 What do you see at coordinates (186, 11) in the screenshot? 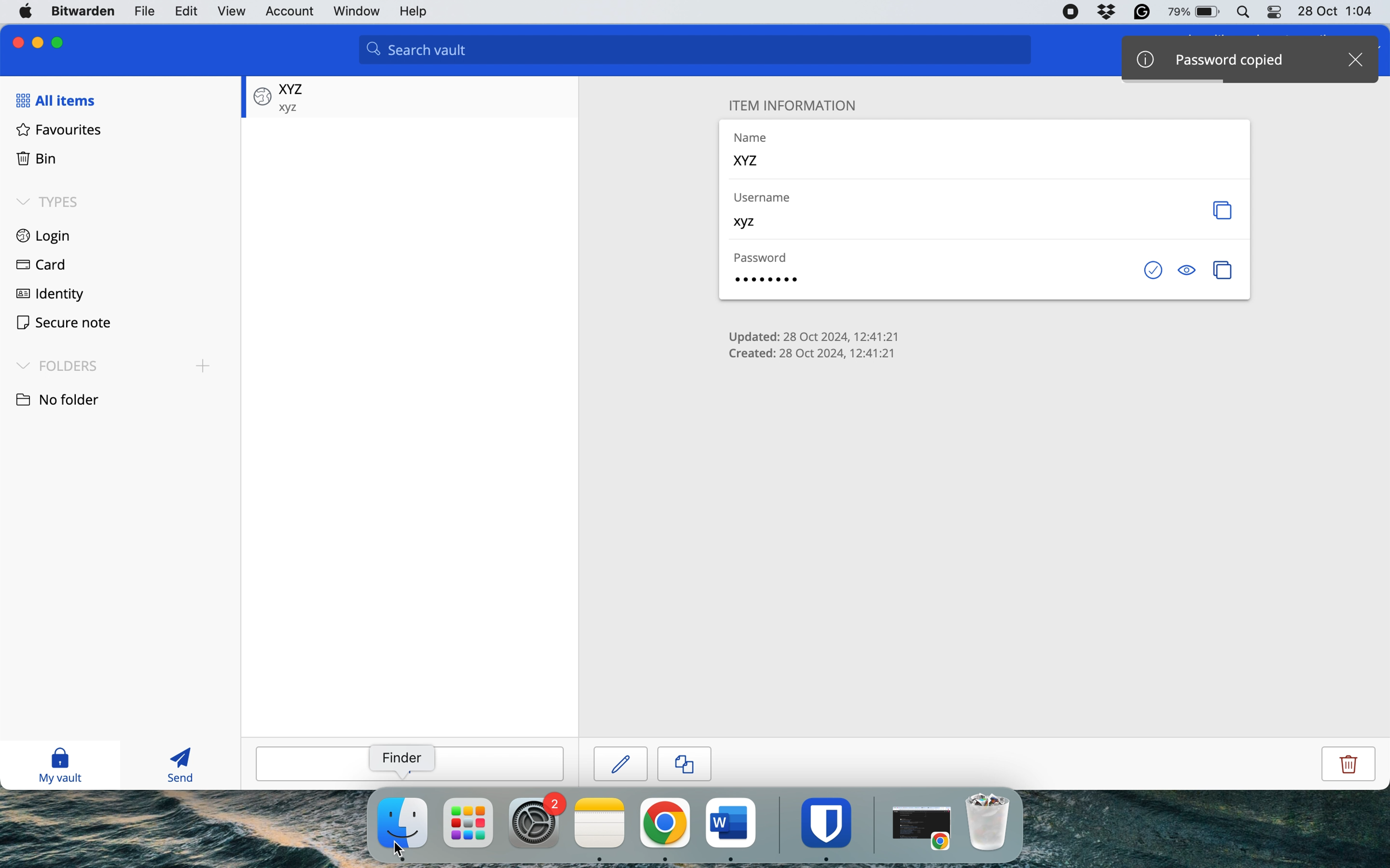
I see `edit` at bounding box center [186, 11].